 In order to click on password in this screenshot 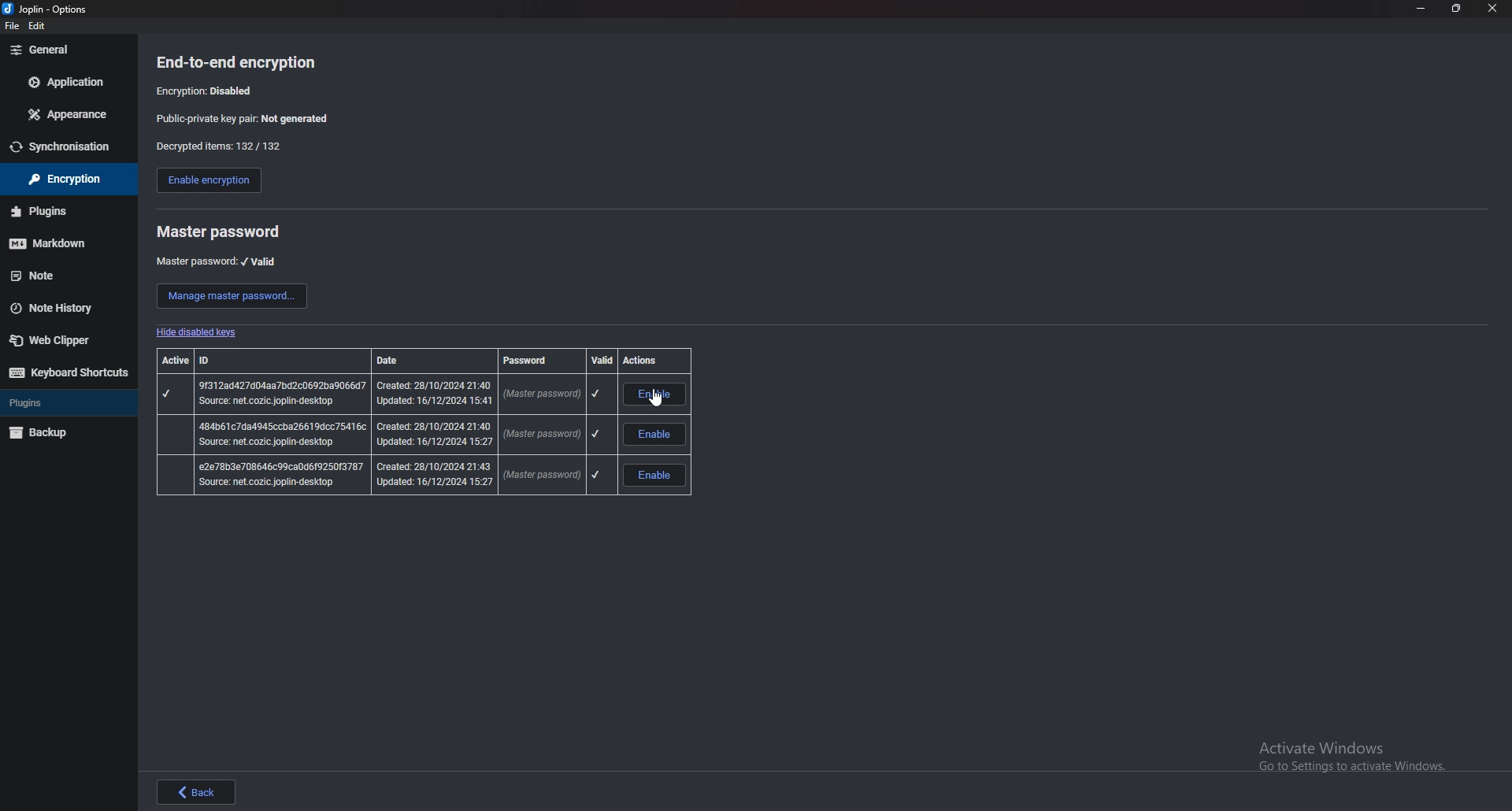, I will do `click(535, 361)`.